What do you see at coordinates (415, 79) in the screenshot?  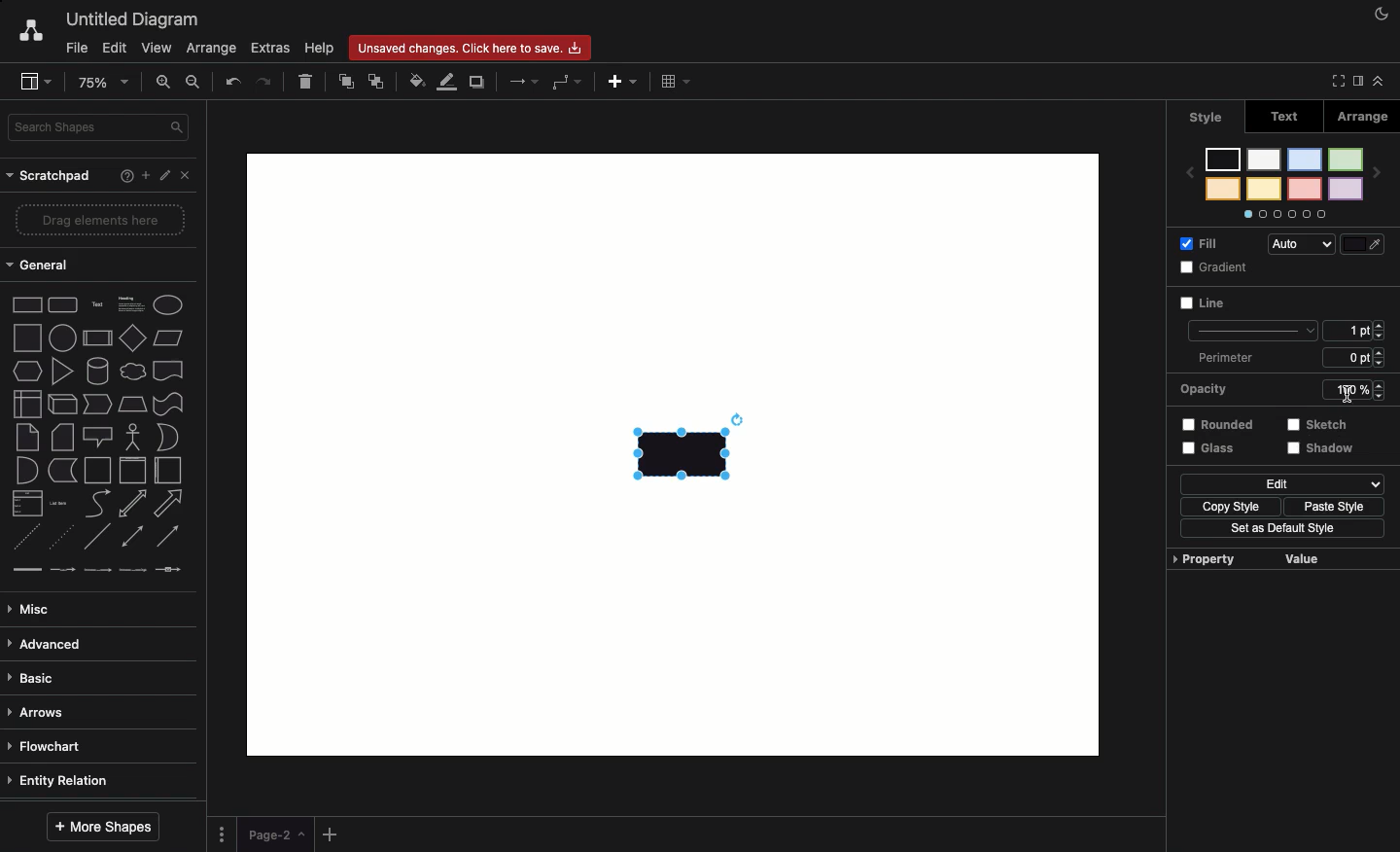 I see `Fill color` at bounding box center [415, 79].